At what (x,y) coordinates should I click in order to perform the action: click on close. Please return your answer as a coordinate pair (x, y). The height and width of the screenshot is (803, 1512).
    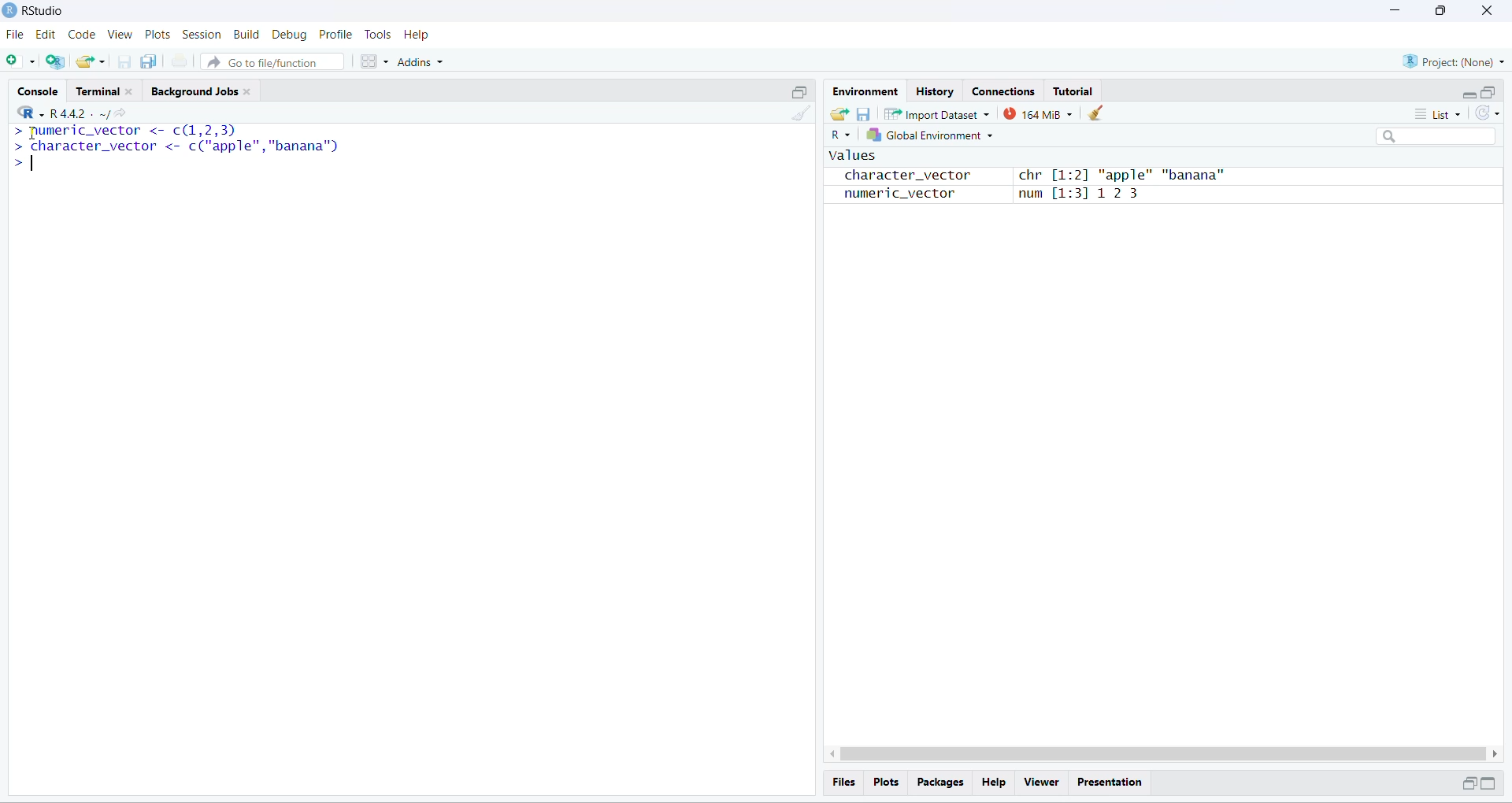
    Looking at the image, I should click on (1485, 10).